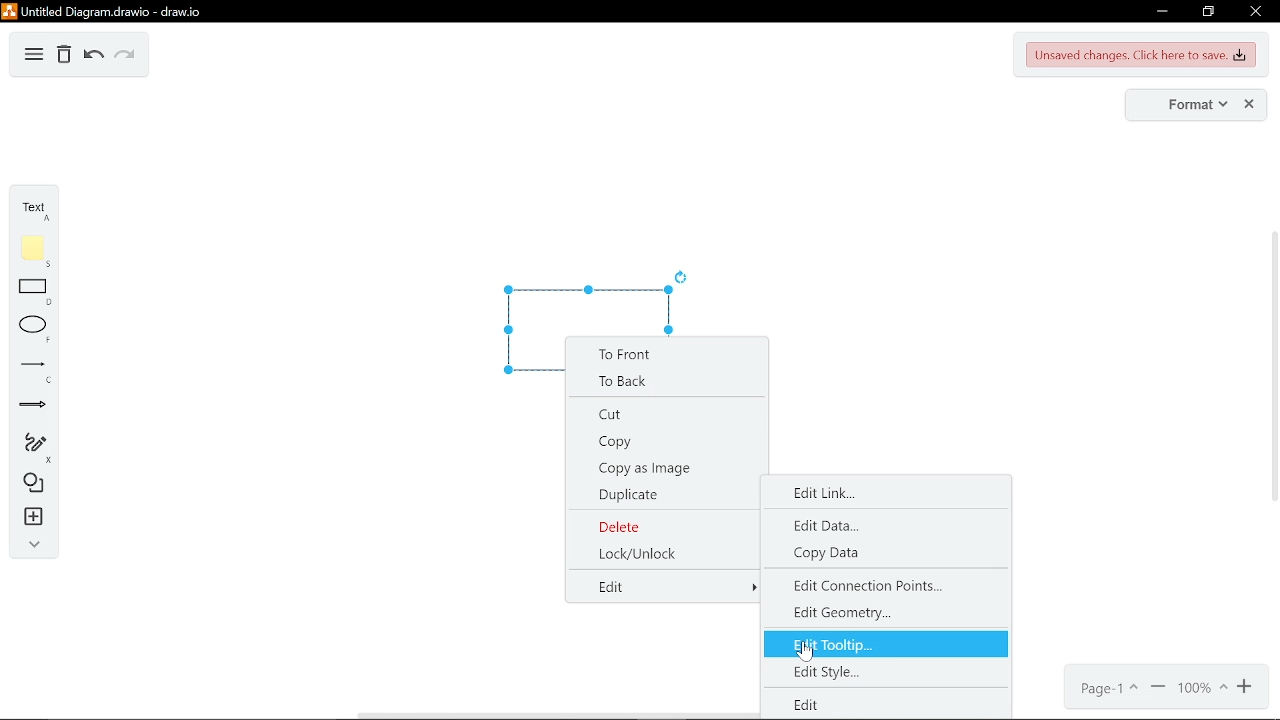 The image size is (1280, 720). What do you see at coordinates (36, 517) in the screenshot?
I see `insert` at bounding box center [36, 517].